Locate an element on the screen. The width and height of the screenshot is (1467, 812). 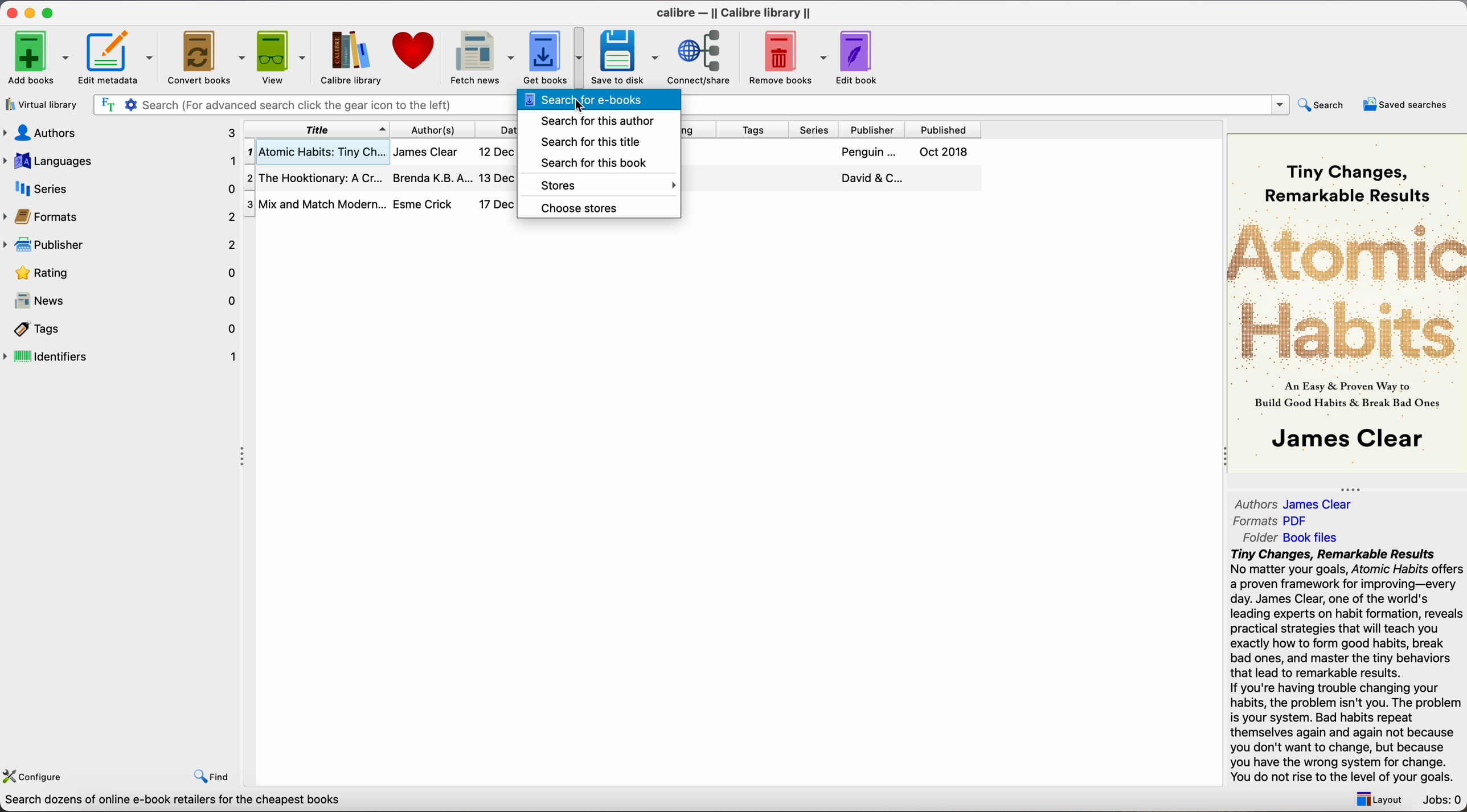
click on search e-books is located at coordinates (600, 100).